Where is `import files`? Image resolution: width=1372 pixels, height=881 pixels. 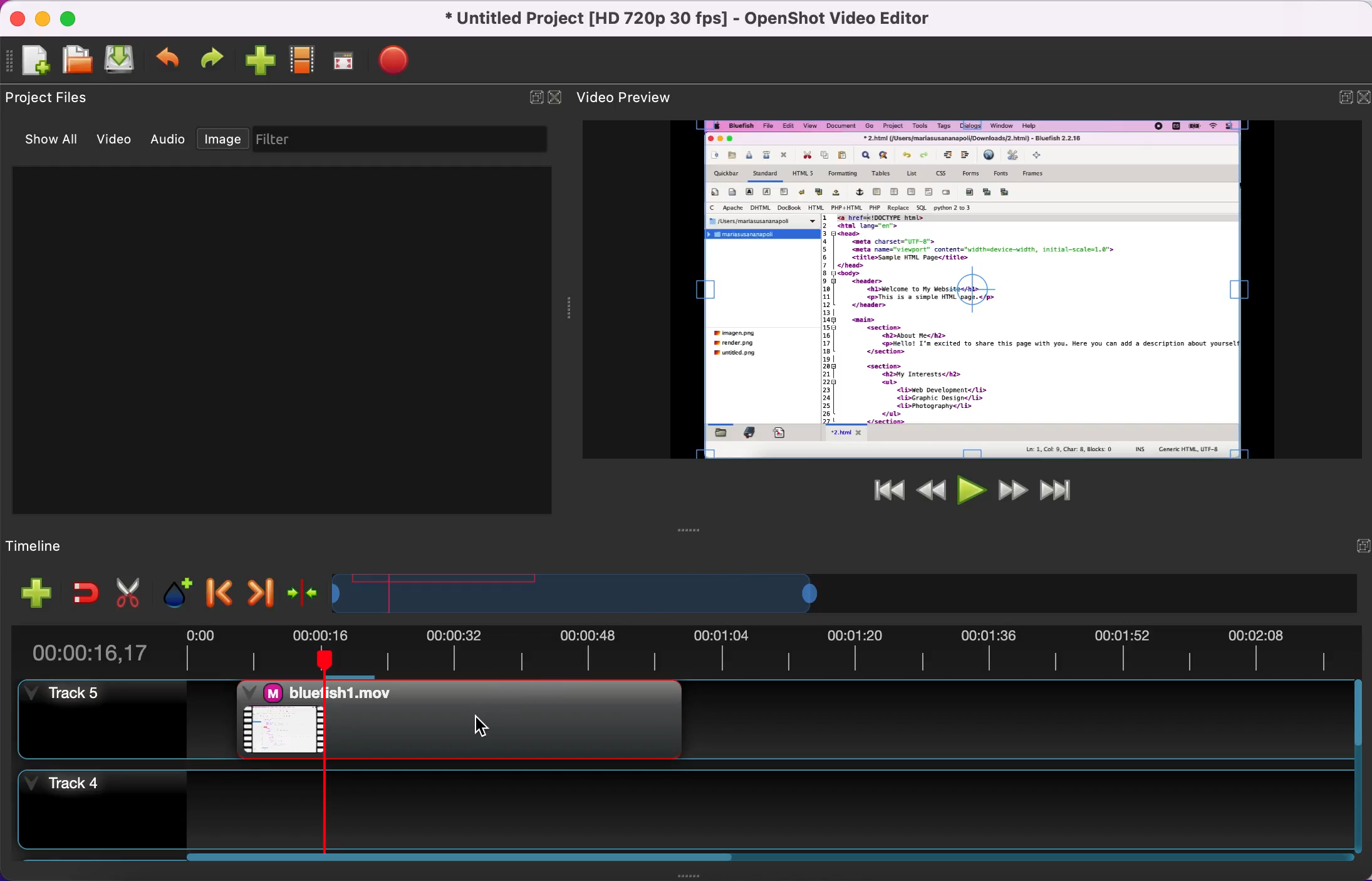 import files is located at coordinates (261, 62).